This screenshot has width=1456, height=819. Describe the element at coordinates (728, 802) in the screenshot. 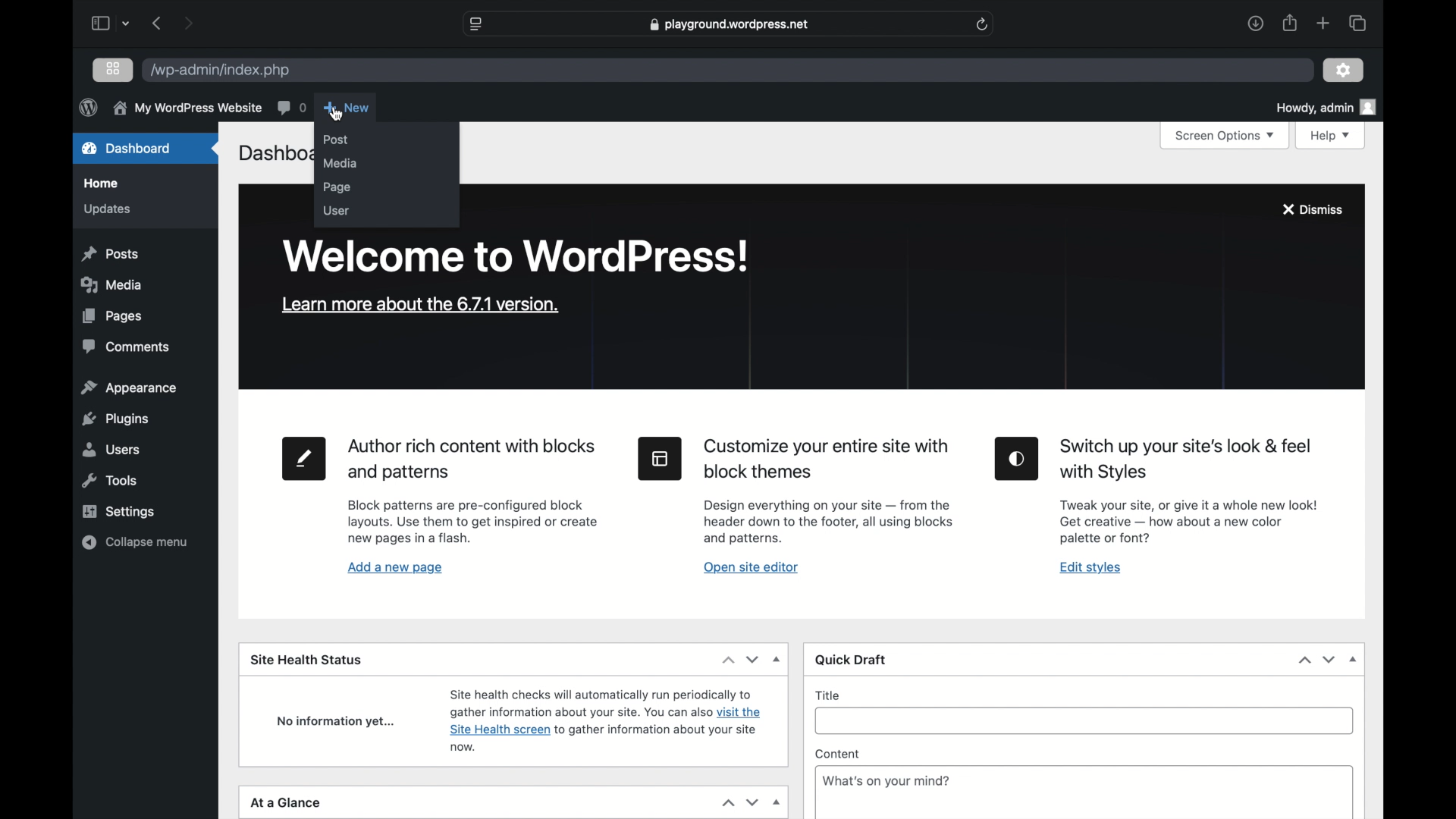

I see `stepper button up` at that location.